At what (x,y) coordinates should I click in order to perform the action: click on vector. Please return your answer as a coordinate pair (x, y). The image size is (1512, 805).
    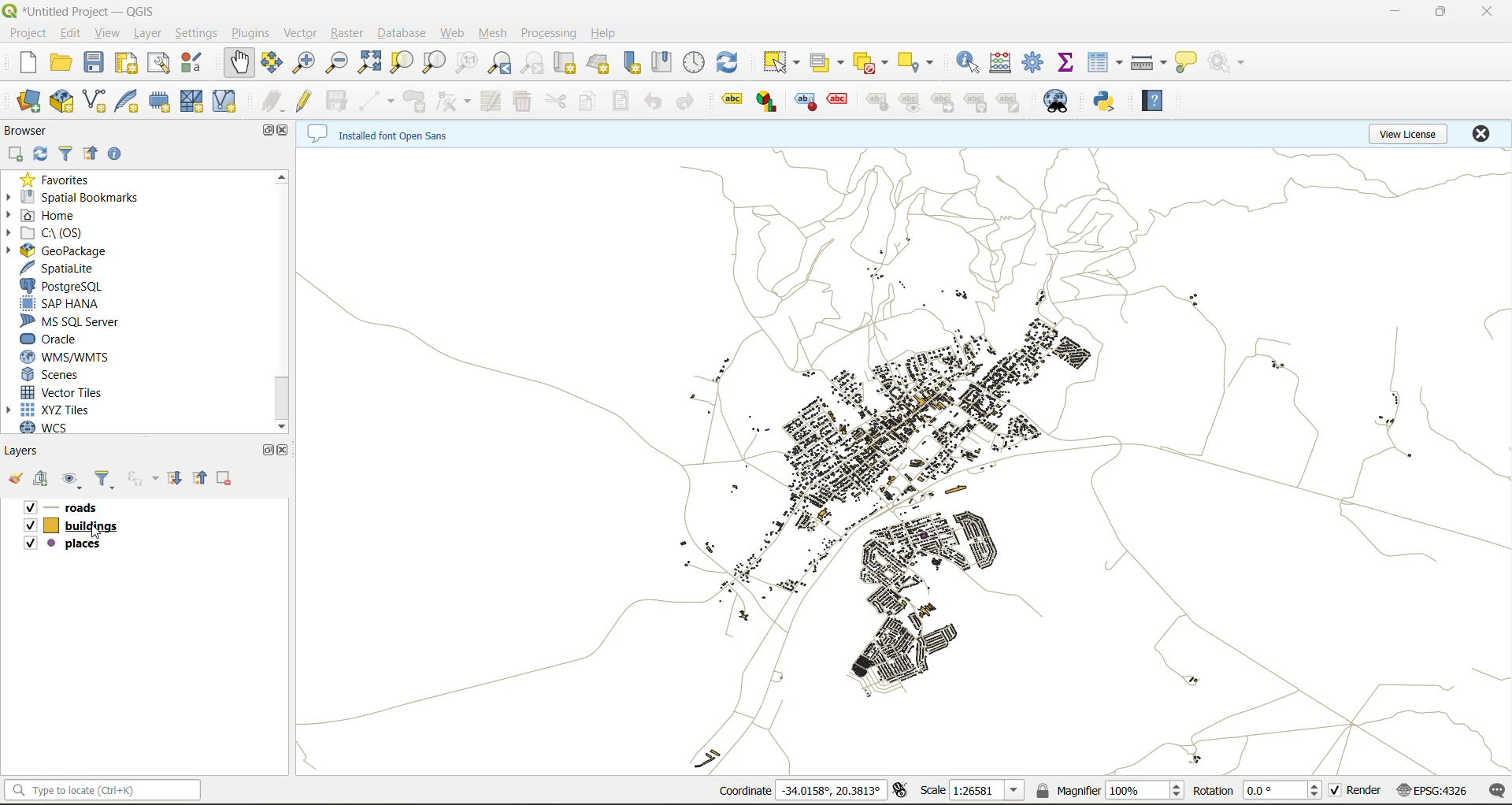
    Looking at the image, I should click on (298, 33).